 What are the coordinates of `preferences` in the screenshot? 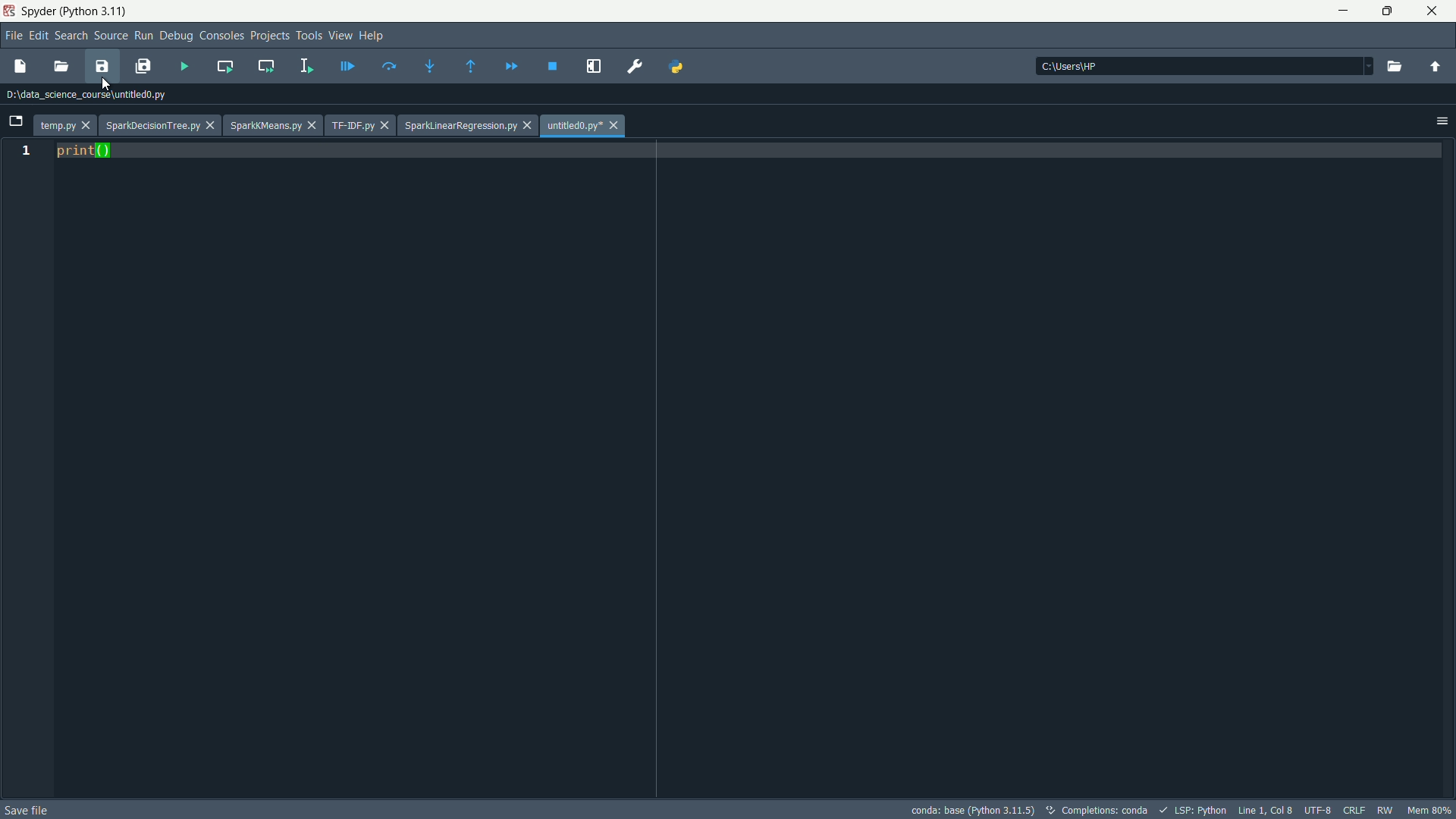 It's located at (630, 67).